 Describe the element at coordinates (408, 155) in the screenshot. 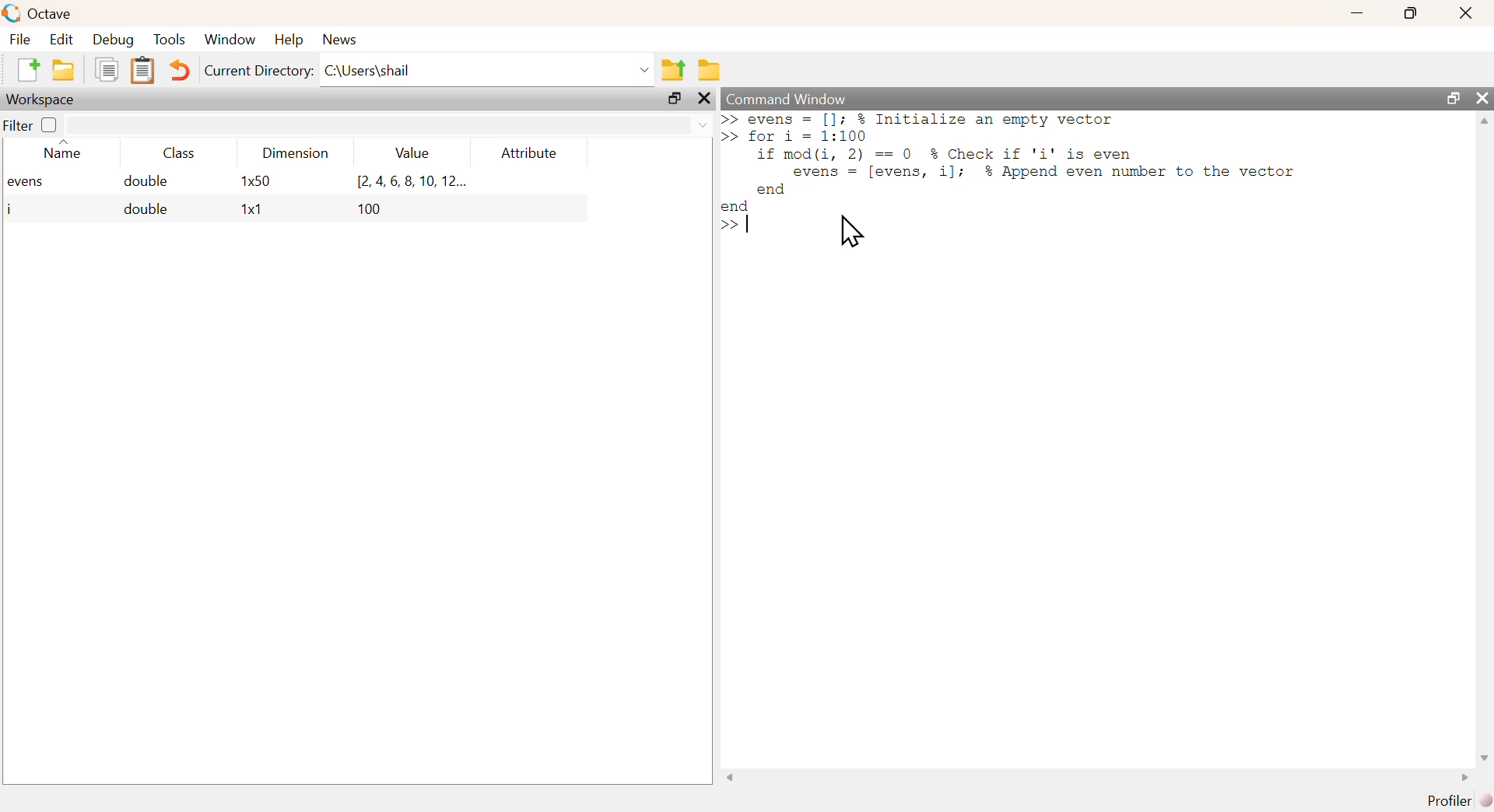

I see `value` at that location.